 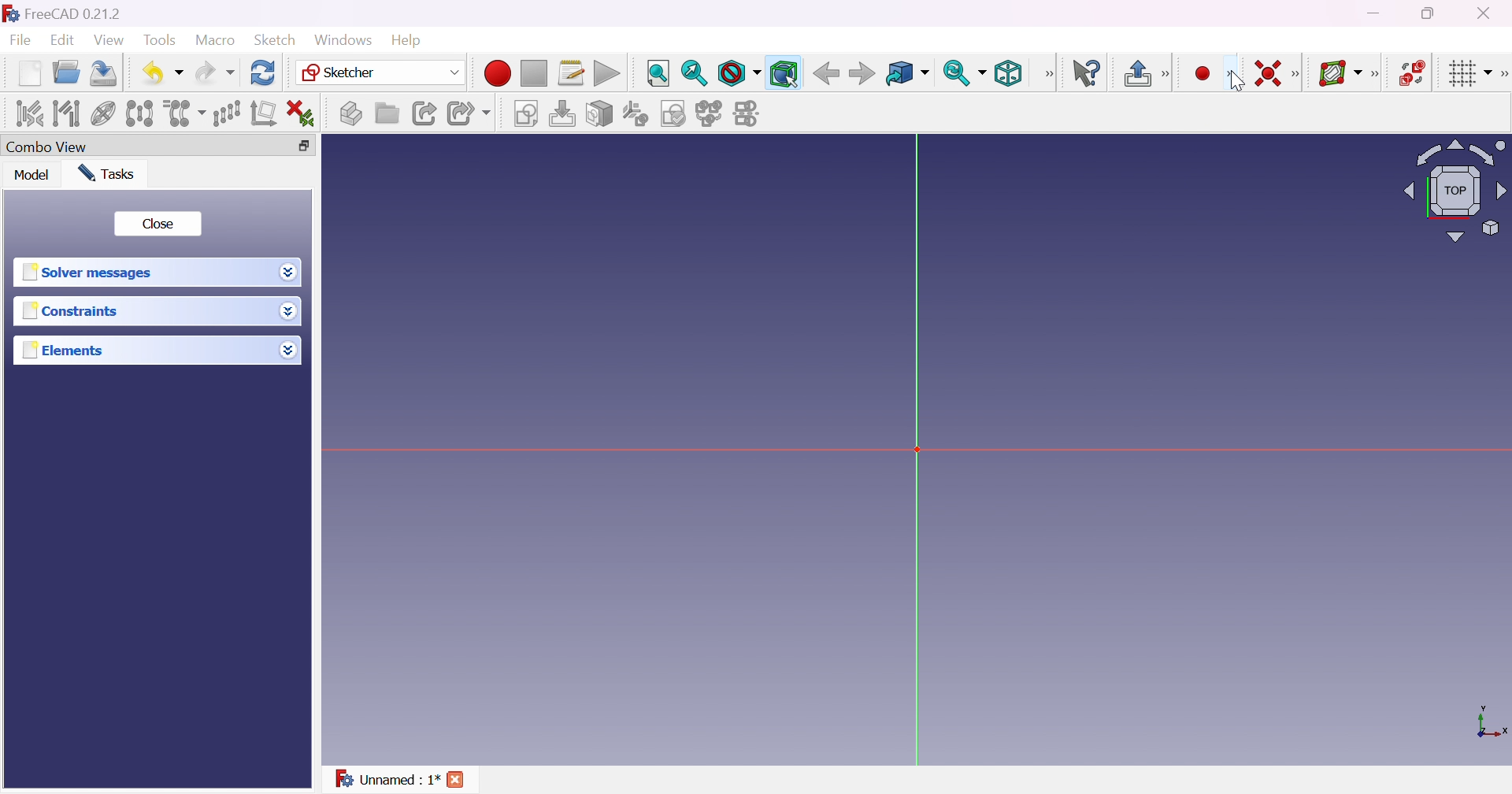 I want to click on Create sketch, so click(x=524, y=113).